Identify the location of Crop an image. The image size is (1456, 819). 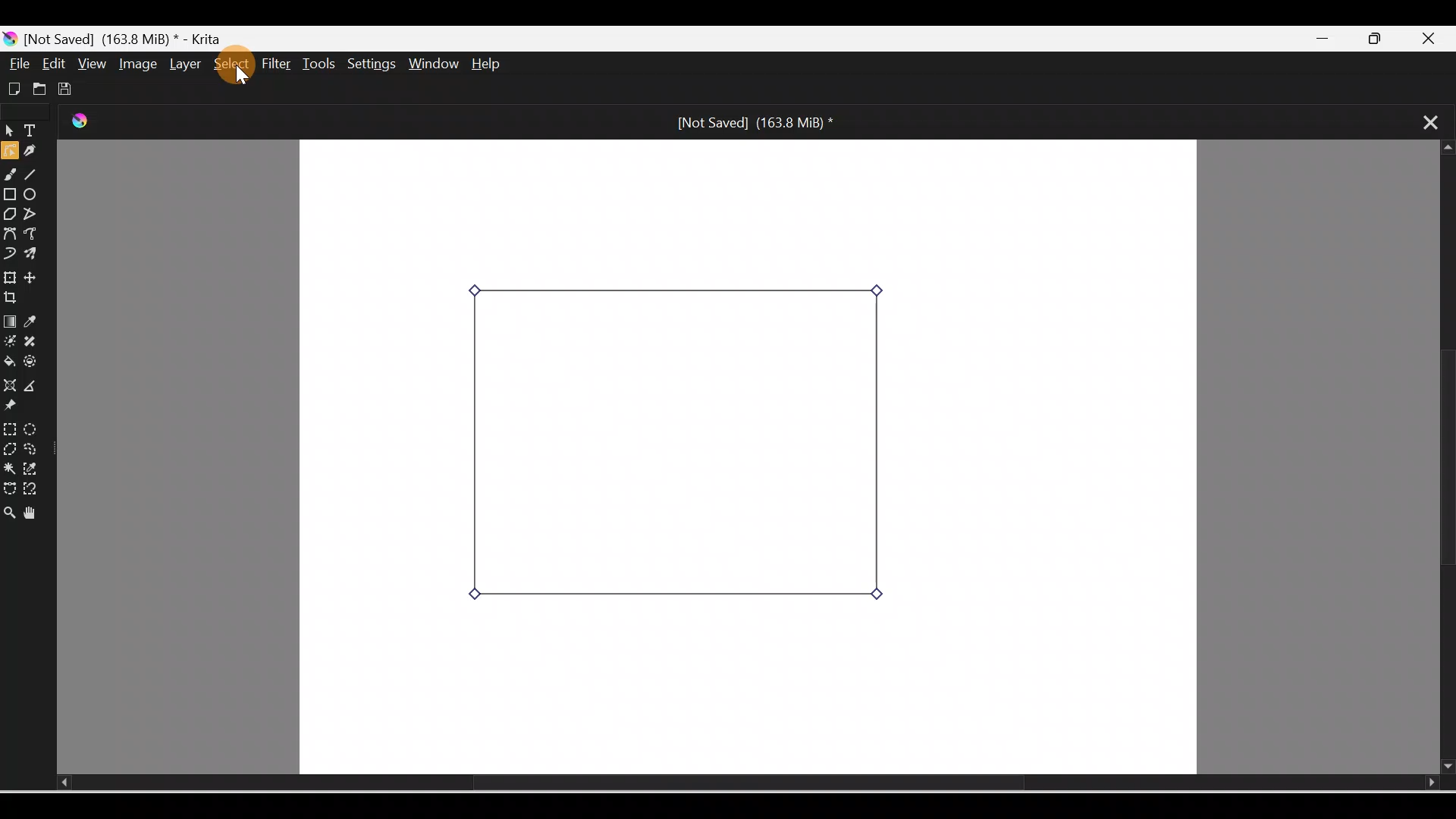
(17, 298).